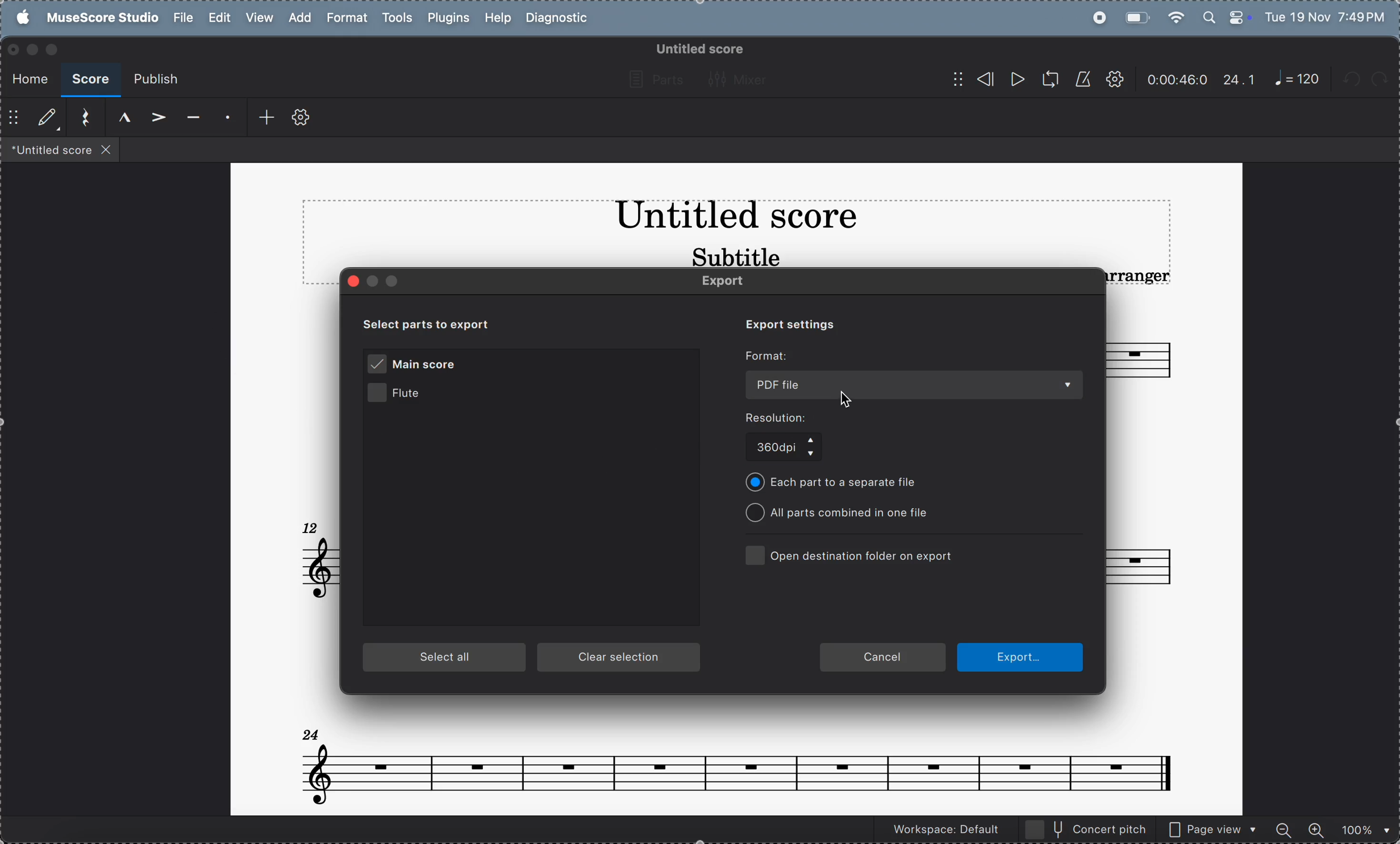  What do you see at coordinates (806, 418) in the screenshot?
I see `resoultion` at bounding box center [806, 418].